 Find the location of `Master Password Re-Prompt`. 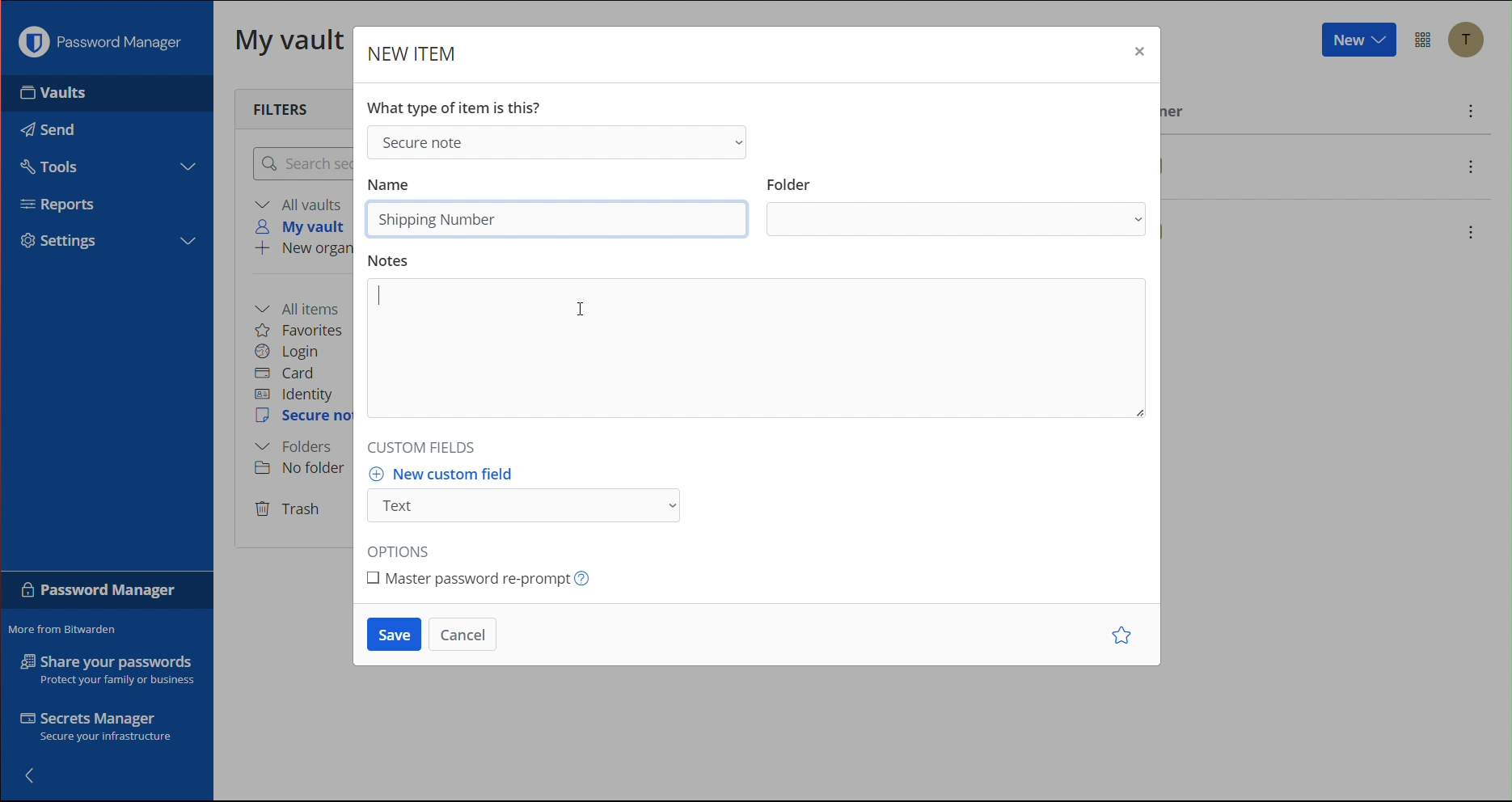

Master Password Re-Prompt is located at coordinates (492, 583).